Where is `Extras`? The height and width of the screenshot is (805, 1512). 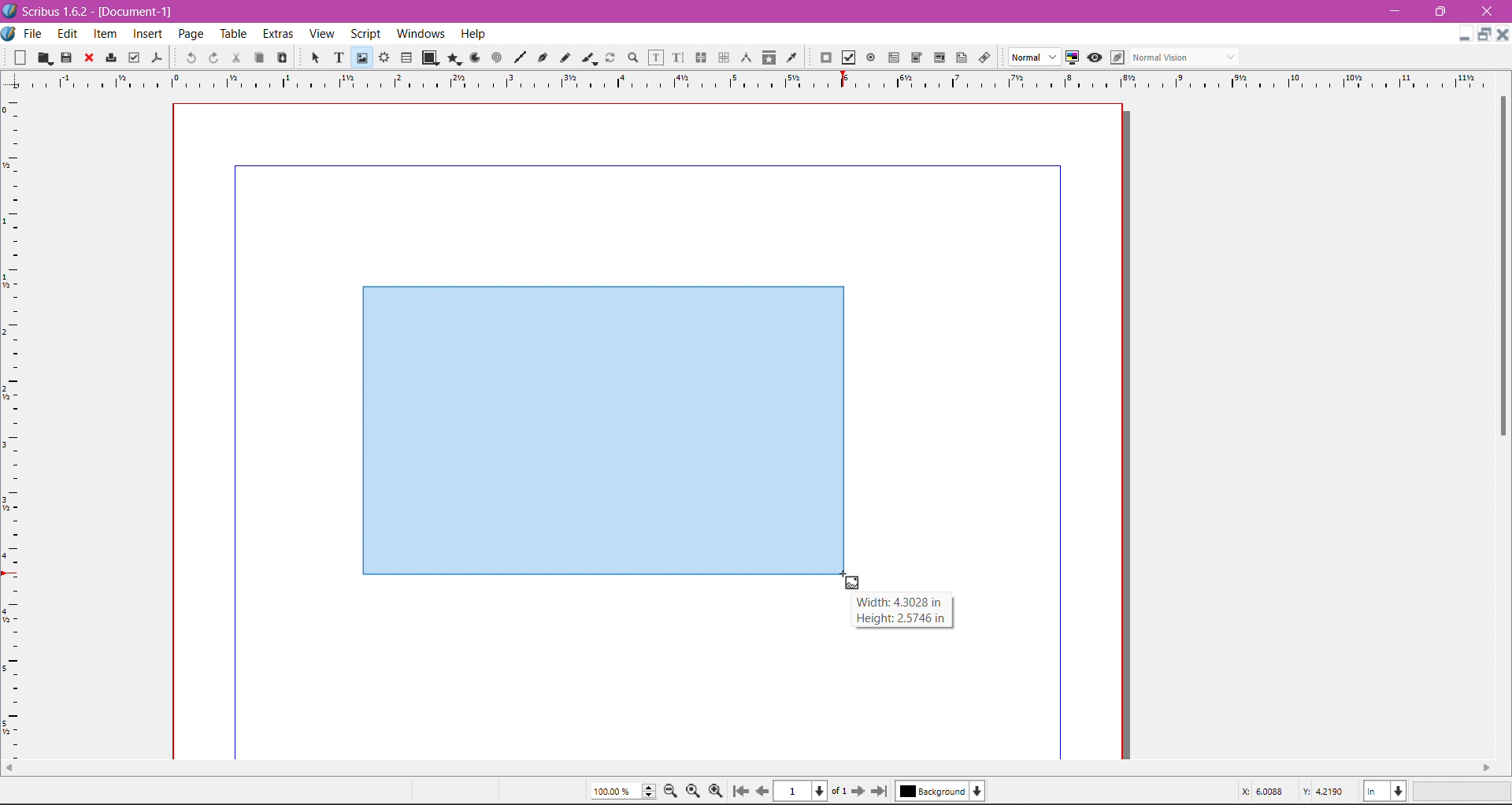 Extras is located at coordinates (280, 33).